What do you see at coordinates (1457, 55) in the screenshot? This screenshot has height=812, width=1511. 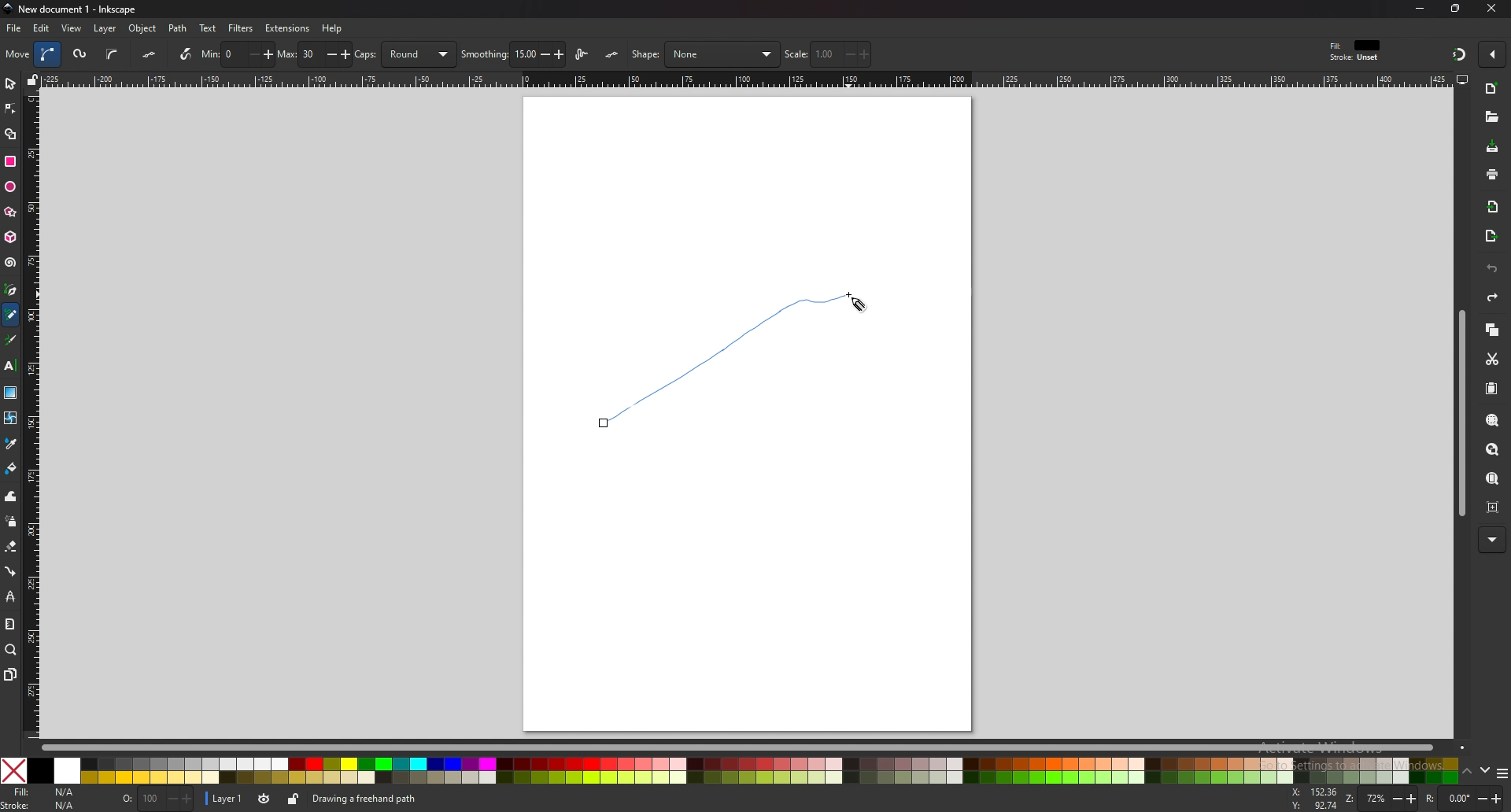 I see `snapping` at bounding box center [1457, 55].